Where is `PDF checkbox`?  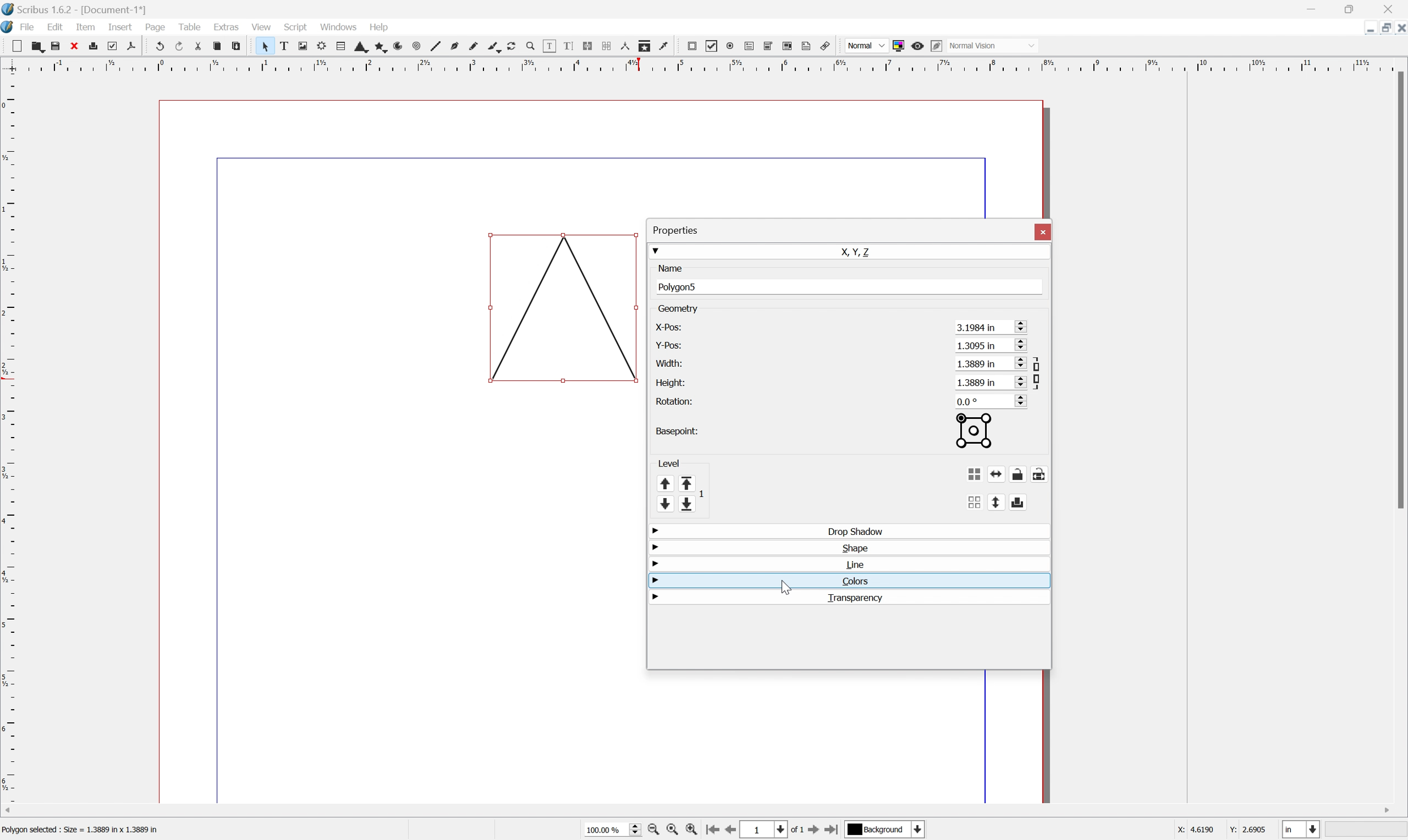 PDF checkbox is located at coordinates (712, 44).